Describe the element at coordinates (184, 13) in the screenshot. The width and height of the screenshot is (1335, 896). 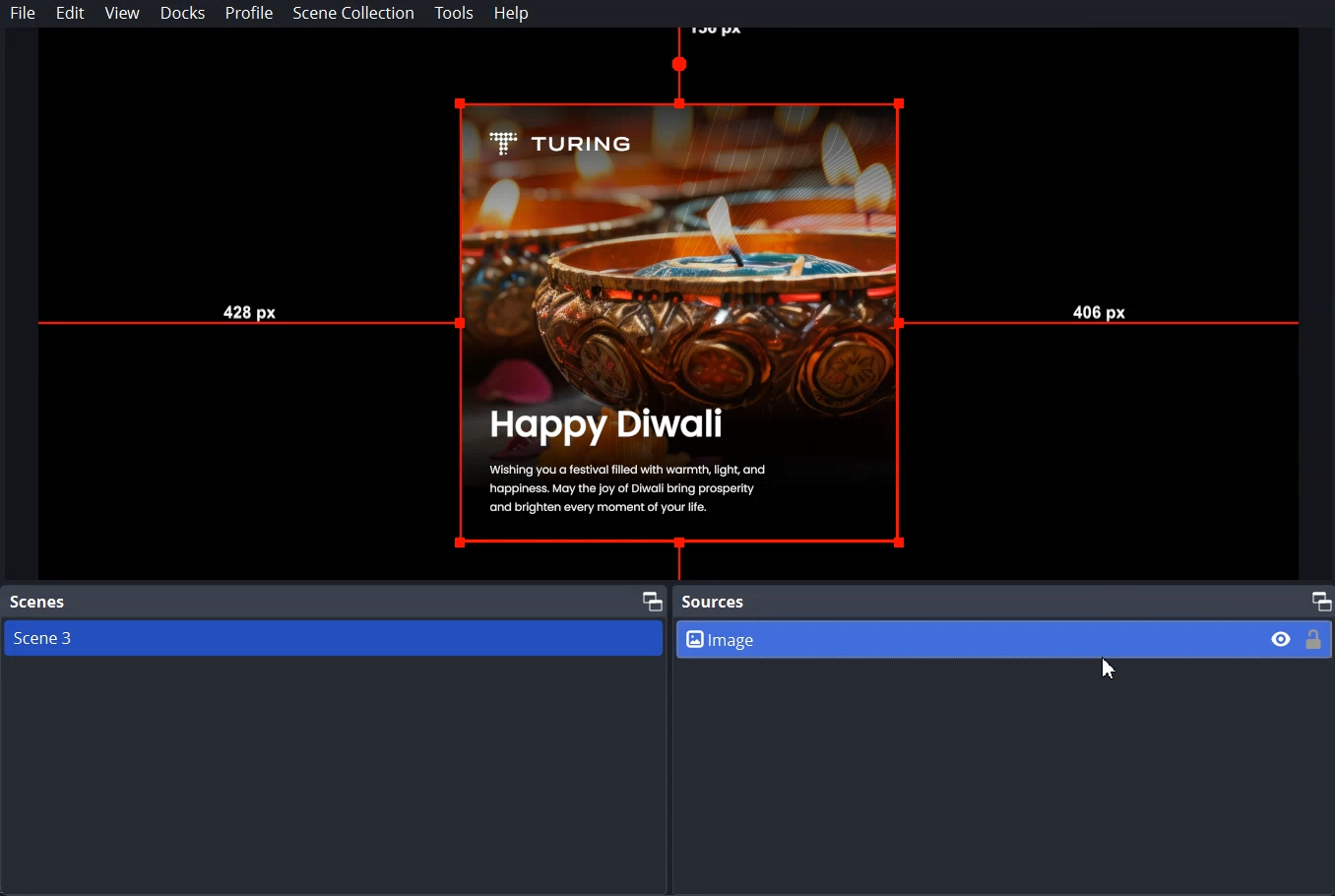
I see `Docks` at that location.